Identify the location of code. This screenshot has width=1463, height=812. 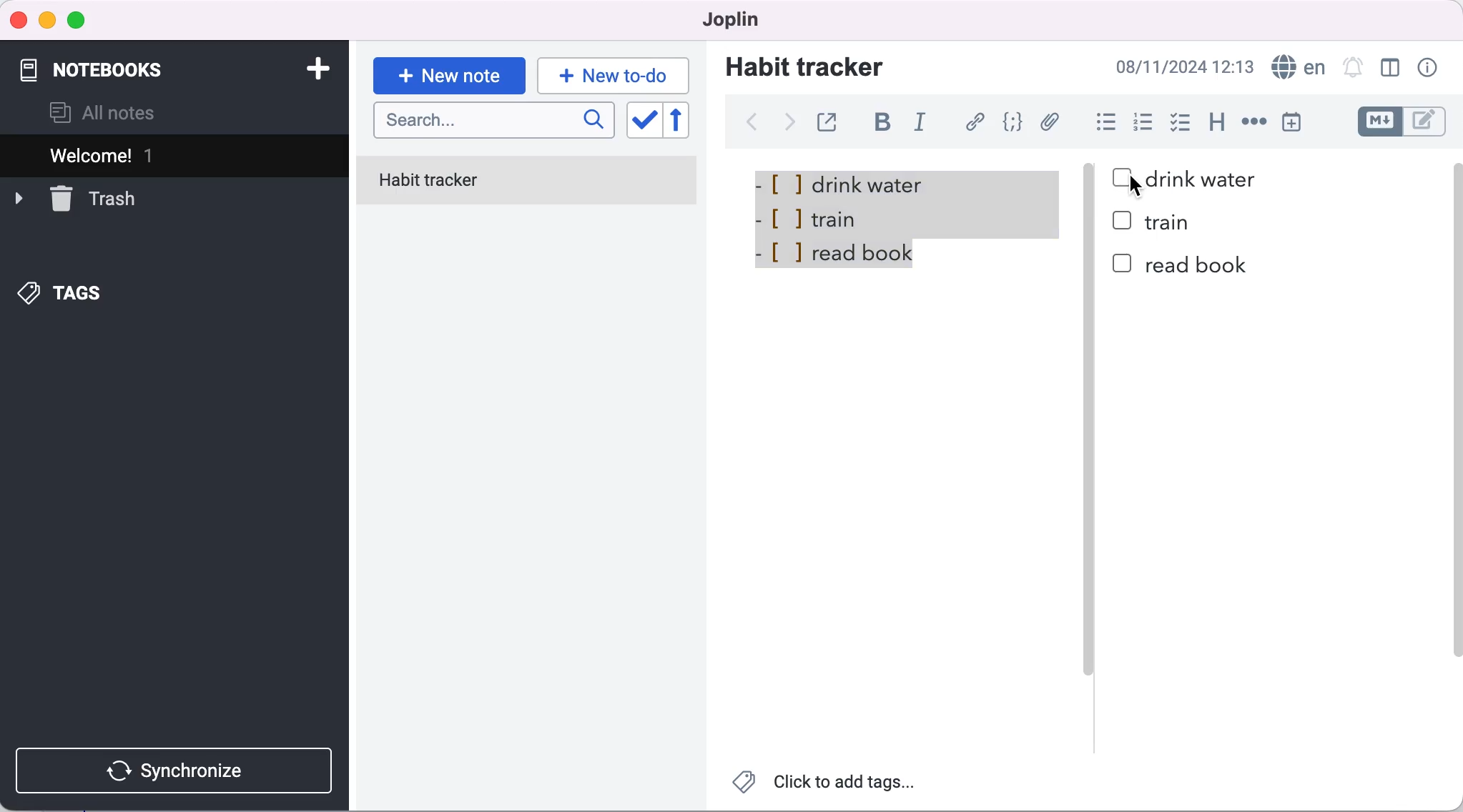
(1015, 122).